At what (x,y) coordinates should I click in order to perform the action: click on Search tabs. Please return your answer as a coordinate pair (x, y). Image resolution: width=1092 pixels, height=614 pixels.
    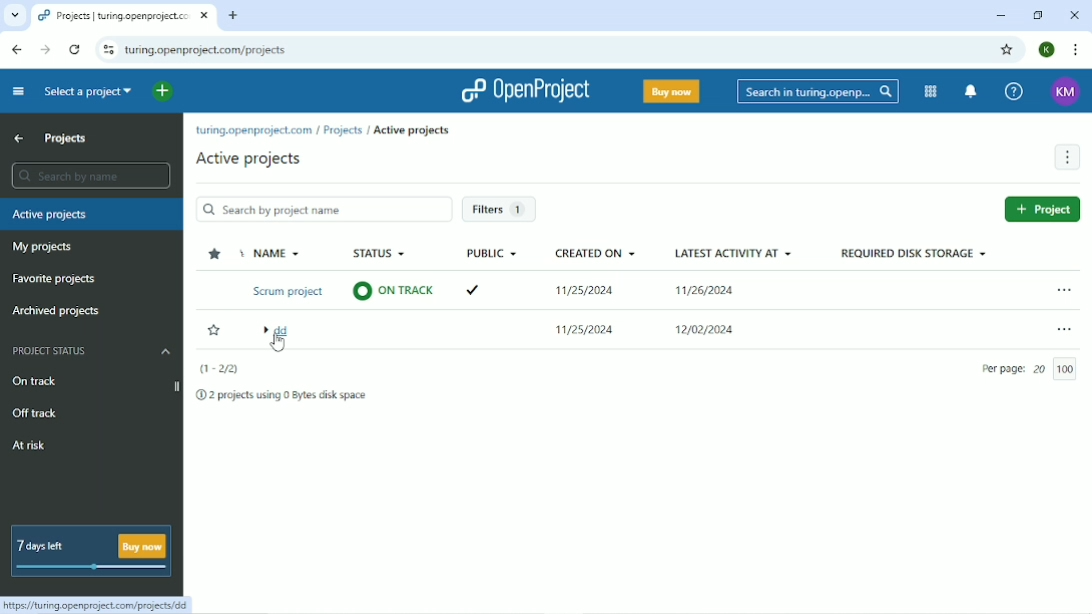
    Looking at the image, I should click on (16, 16).